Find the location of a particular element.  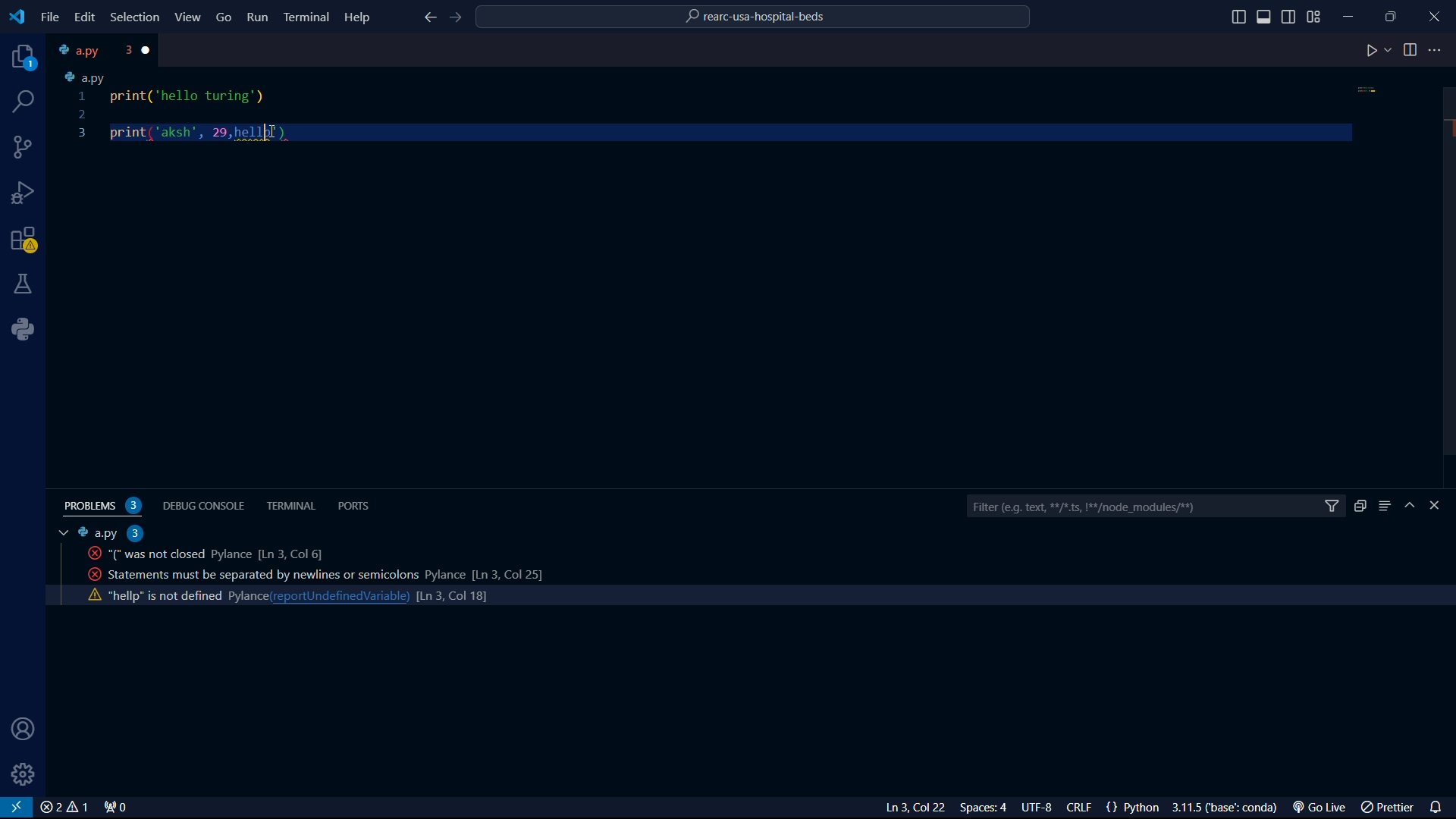

bug is located at coordinates (27, 190).